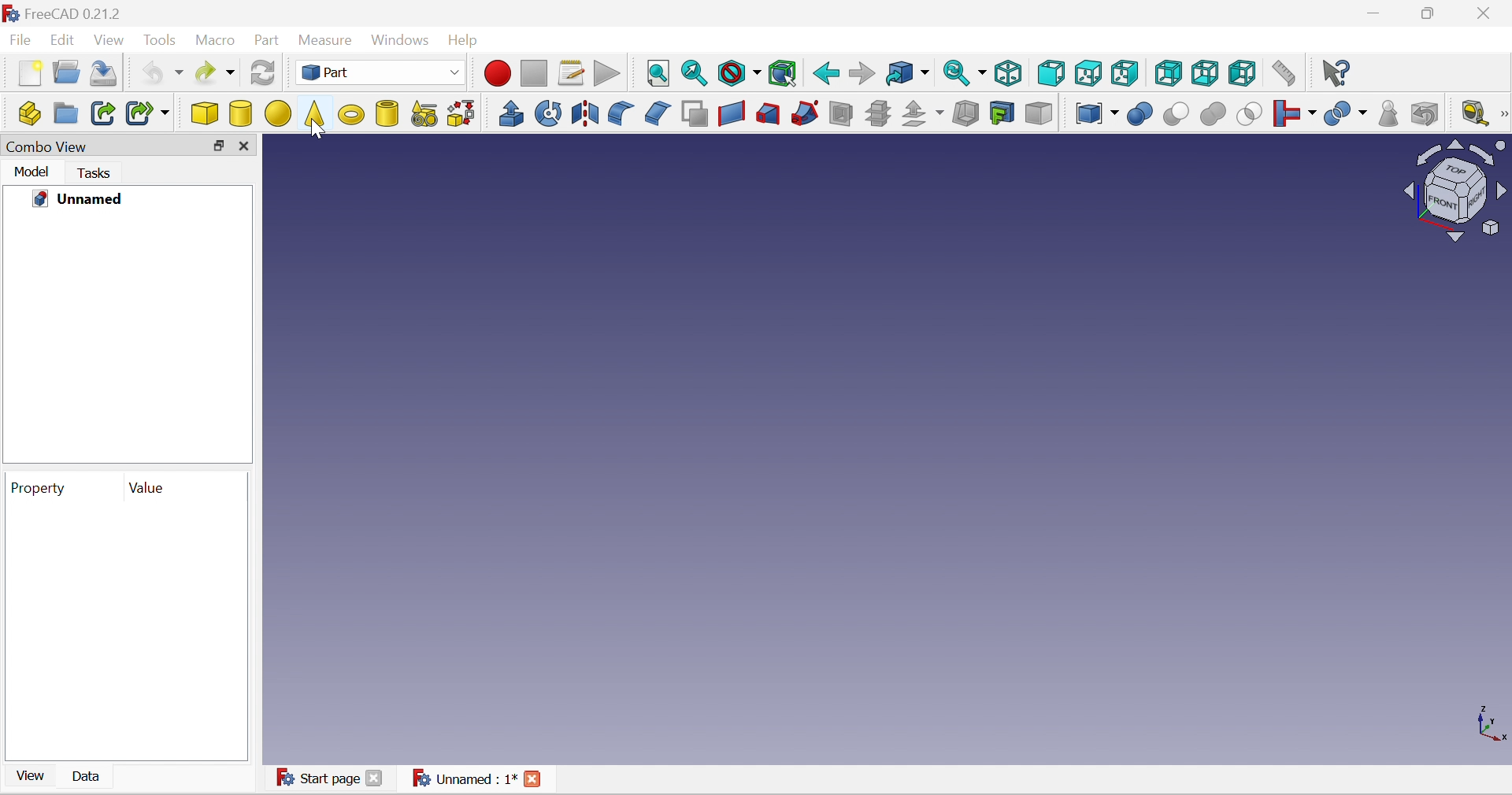 The width and height of the screenshot is (1512, 795). I want to click on View, so click(33, 774).